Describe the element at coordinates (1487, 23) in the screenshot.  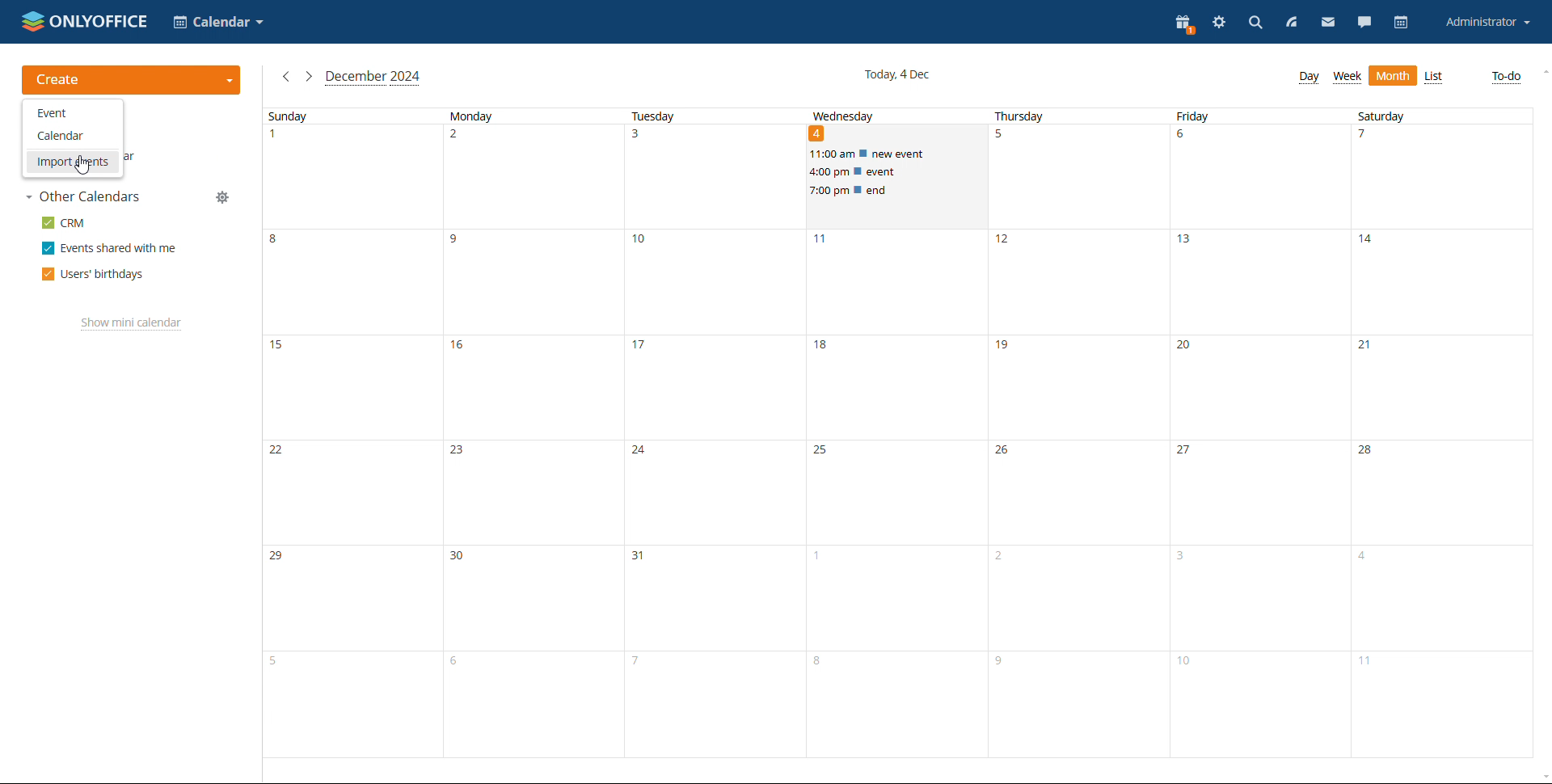
I see `account` at that location.